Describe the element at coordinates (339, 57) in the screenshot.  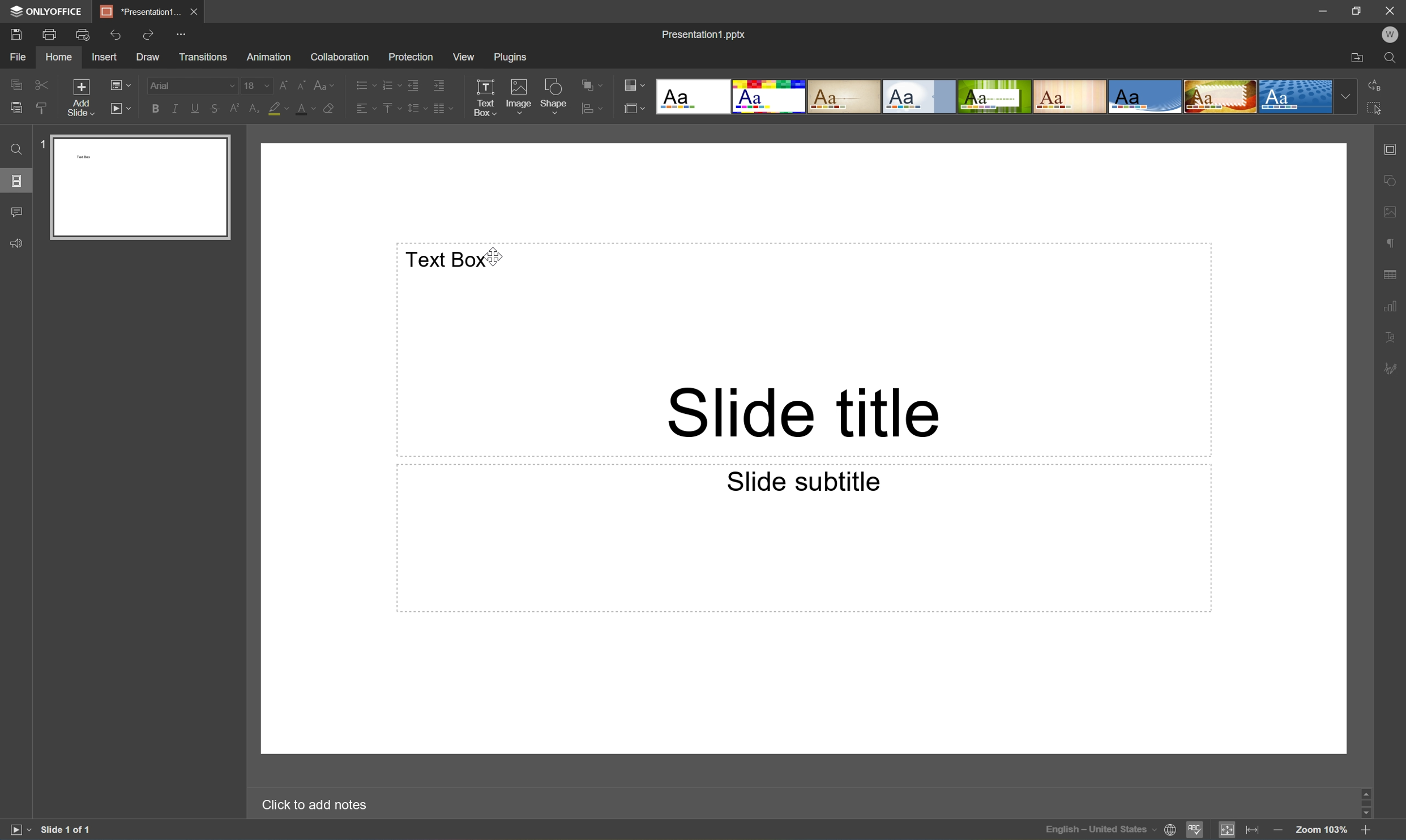
I see `Collaboration` at that location.